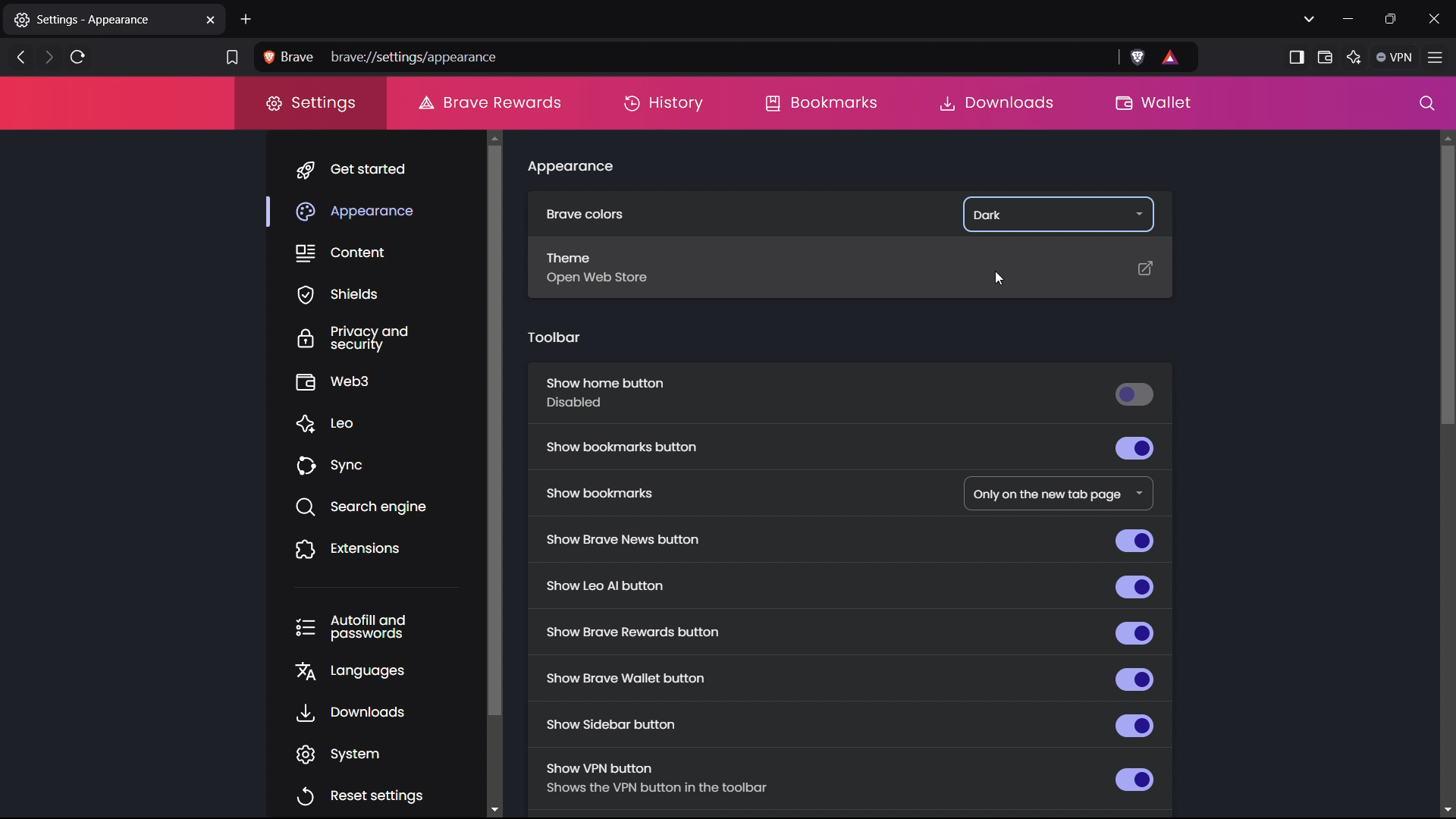  What do you see at coordinates (995, 104) in the screenshot?
I see `downloads` at bounding box center [995, 104].